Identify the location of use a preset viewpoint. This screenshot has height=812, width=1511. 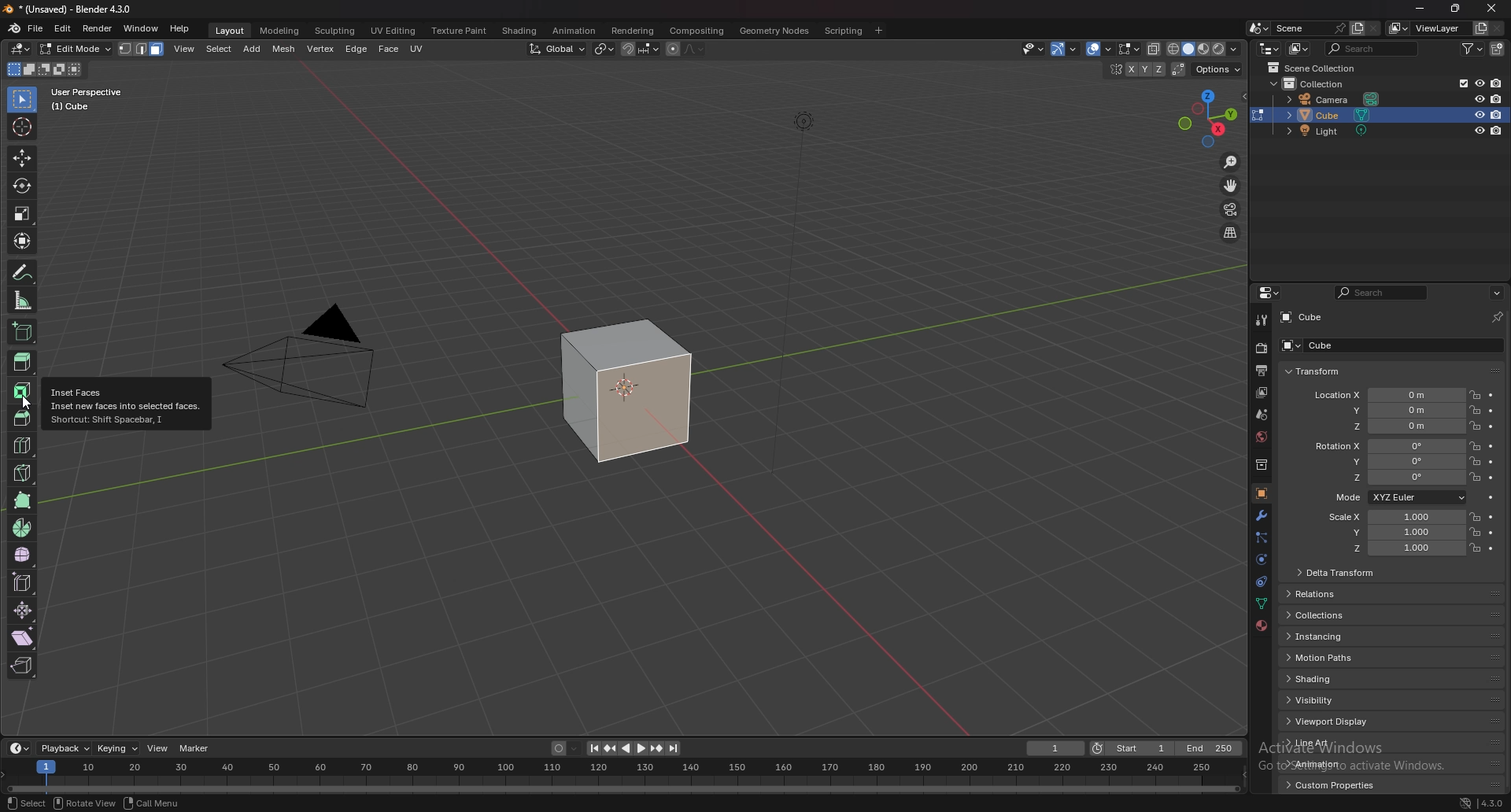
(1210, 116).